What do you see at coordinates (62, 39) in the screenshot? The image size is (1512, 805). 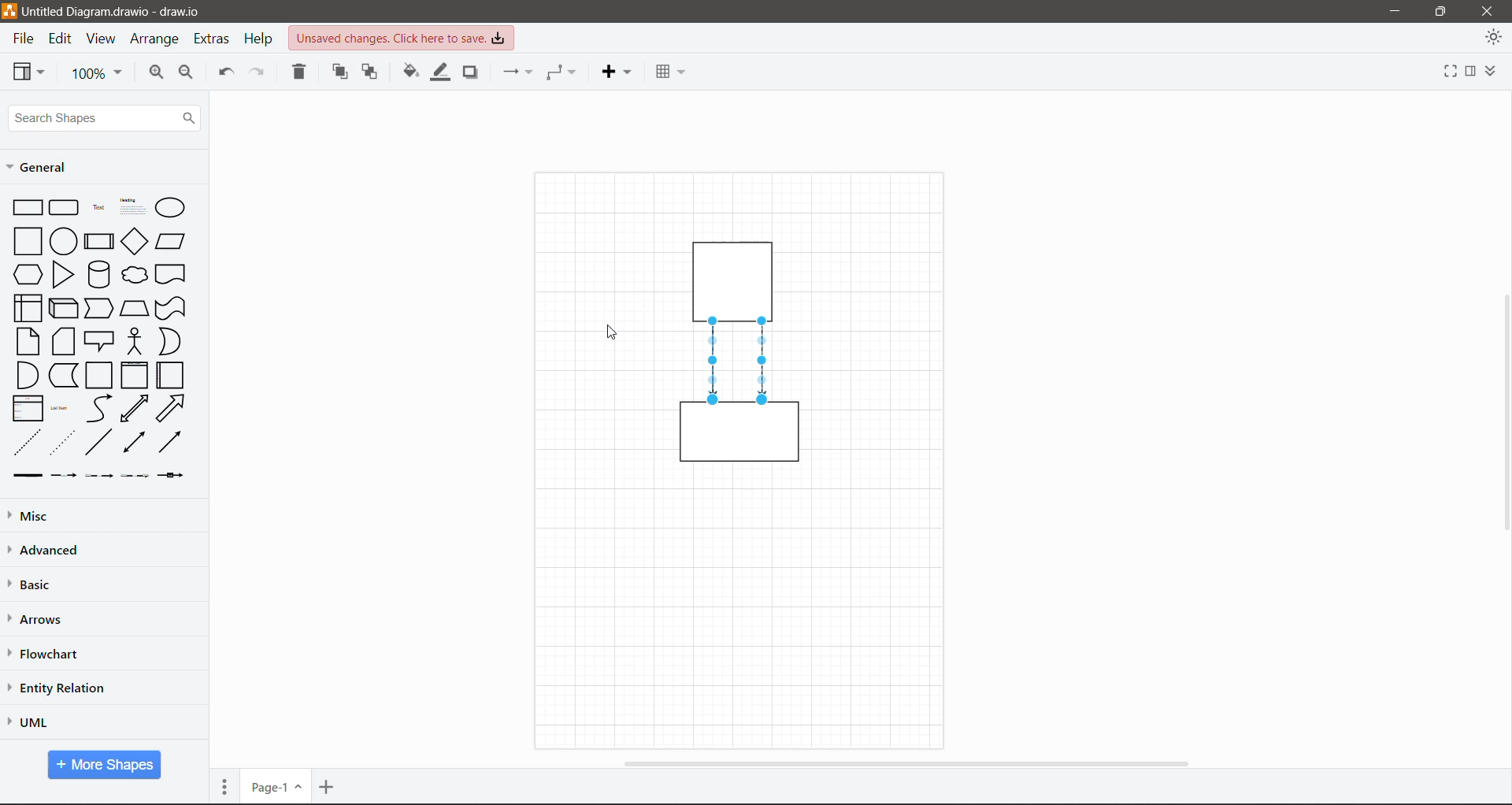 I see `Edit` at bounding box center [62, 39].